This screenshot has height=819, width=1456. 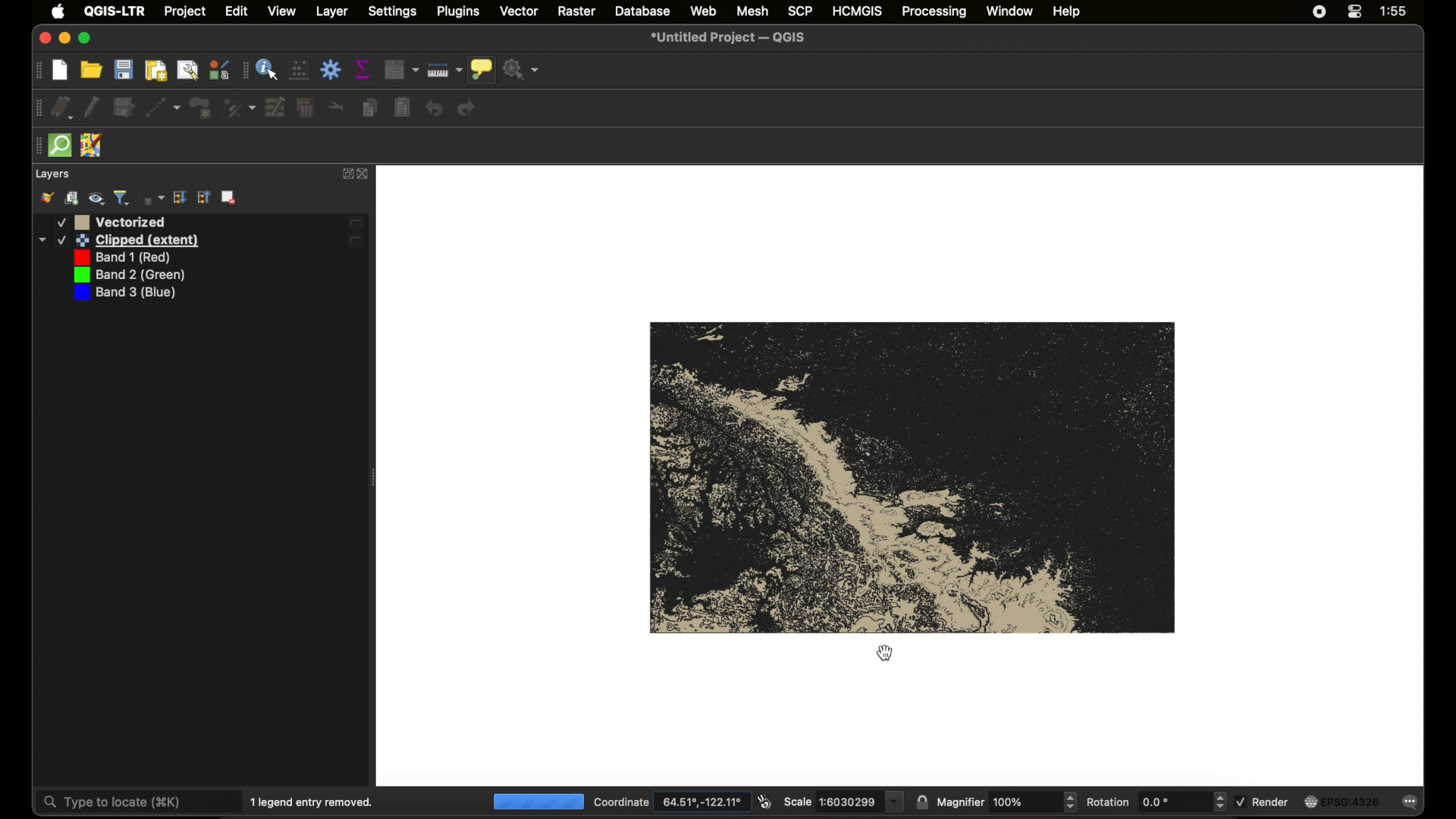 What do you see at coordinates (366, 174) in the screenshot?
I see `close` at bounding box center [366, 174].